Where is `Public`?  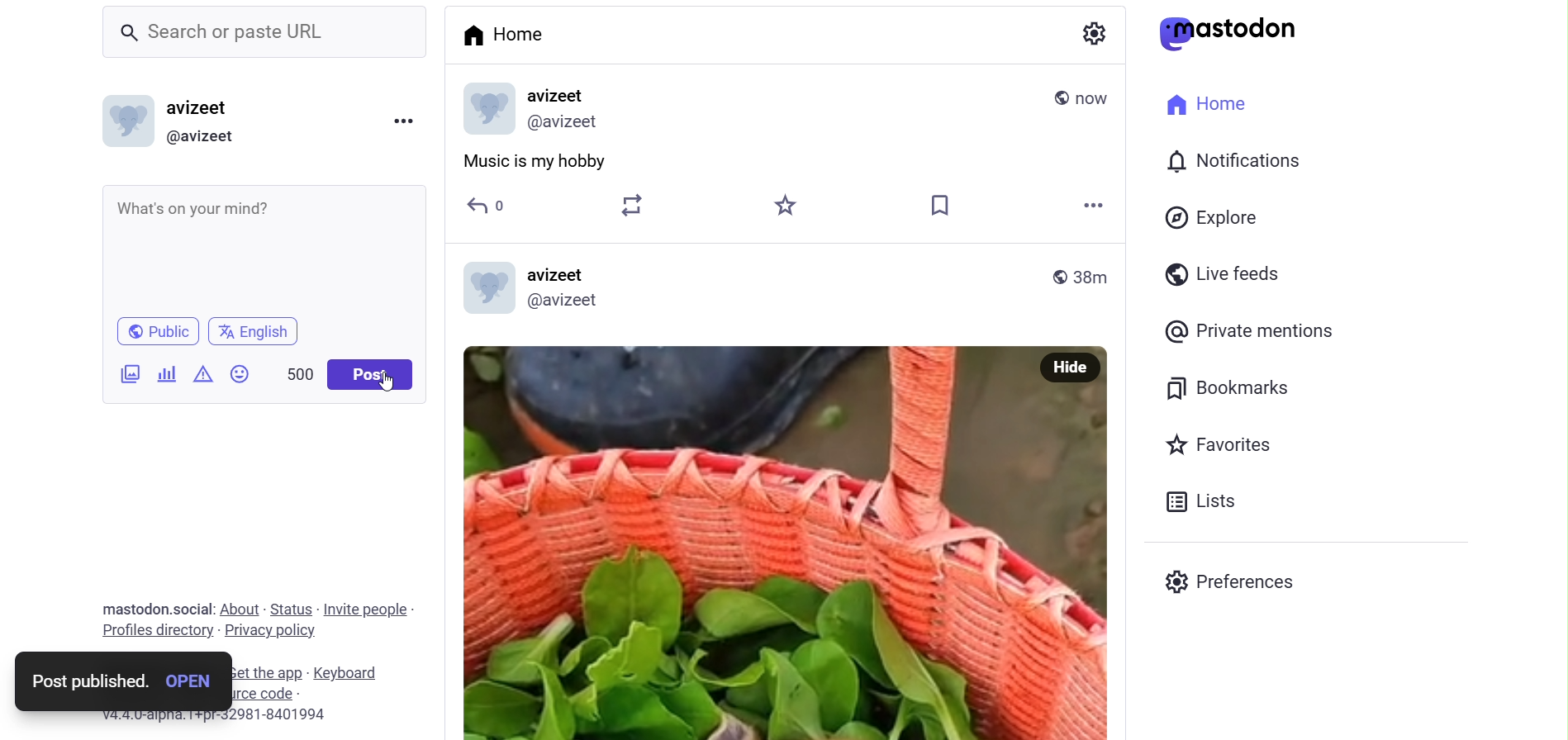
Public is located at coordinates (160, 330).